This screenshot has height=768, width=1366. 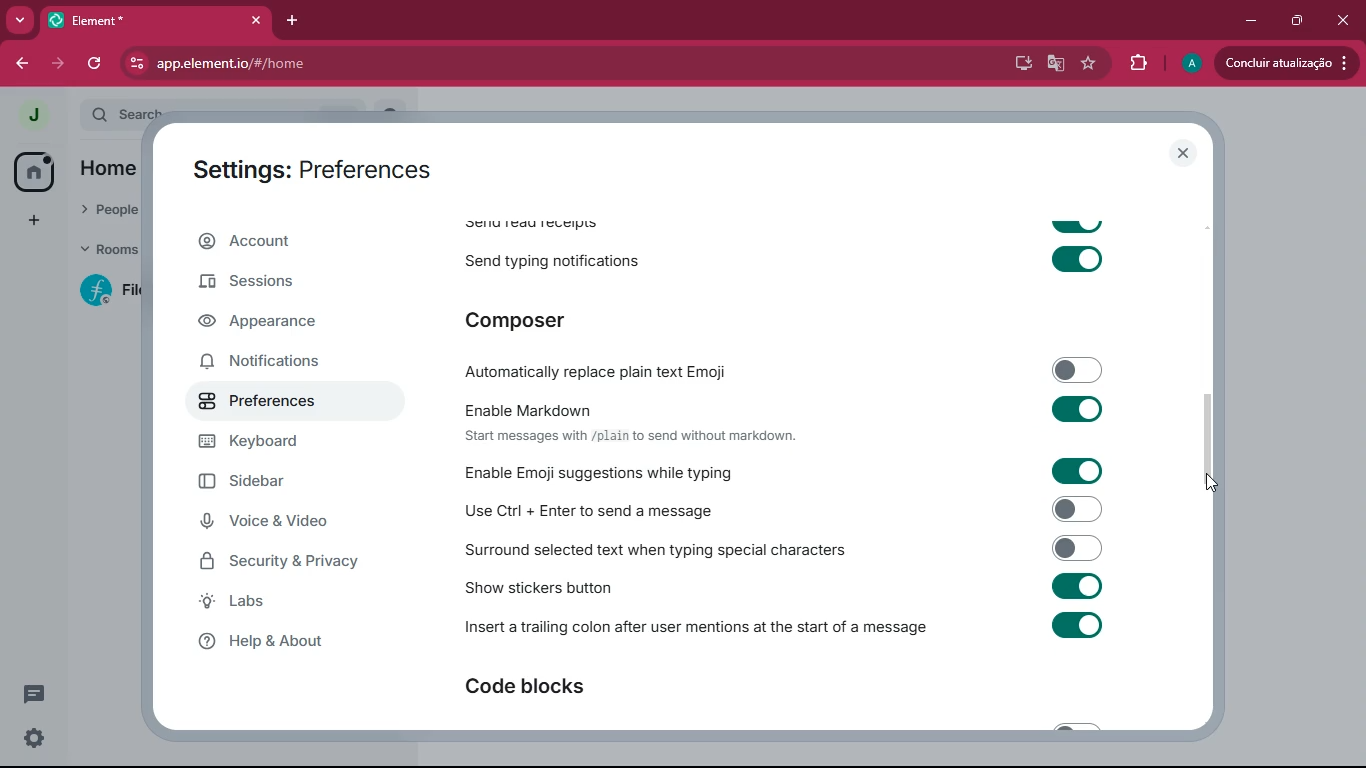 I want to click on account, so click(x=284, y=244).